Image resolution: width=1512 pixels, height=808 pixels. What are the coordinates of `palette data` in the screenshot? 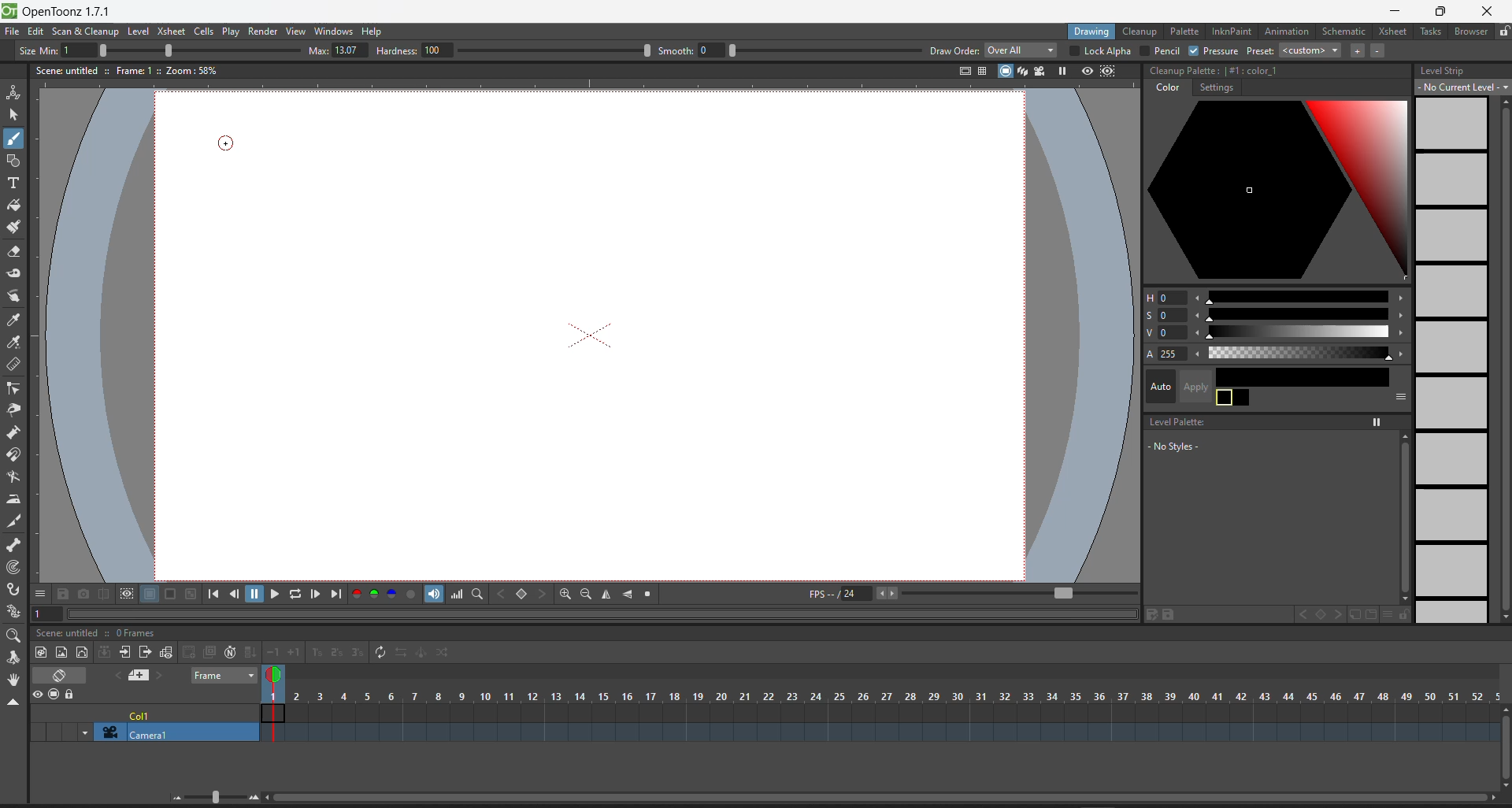 It's located at (1215, 68).